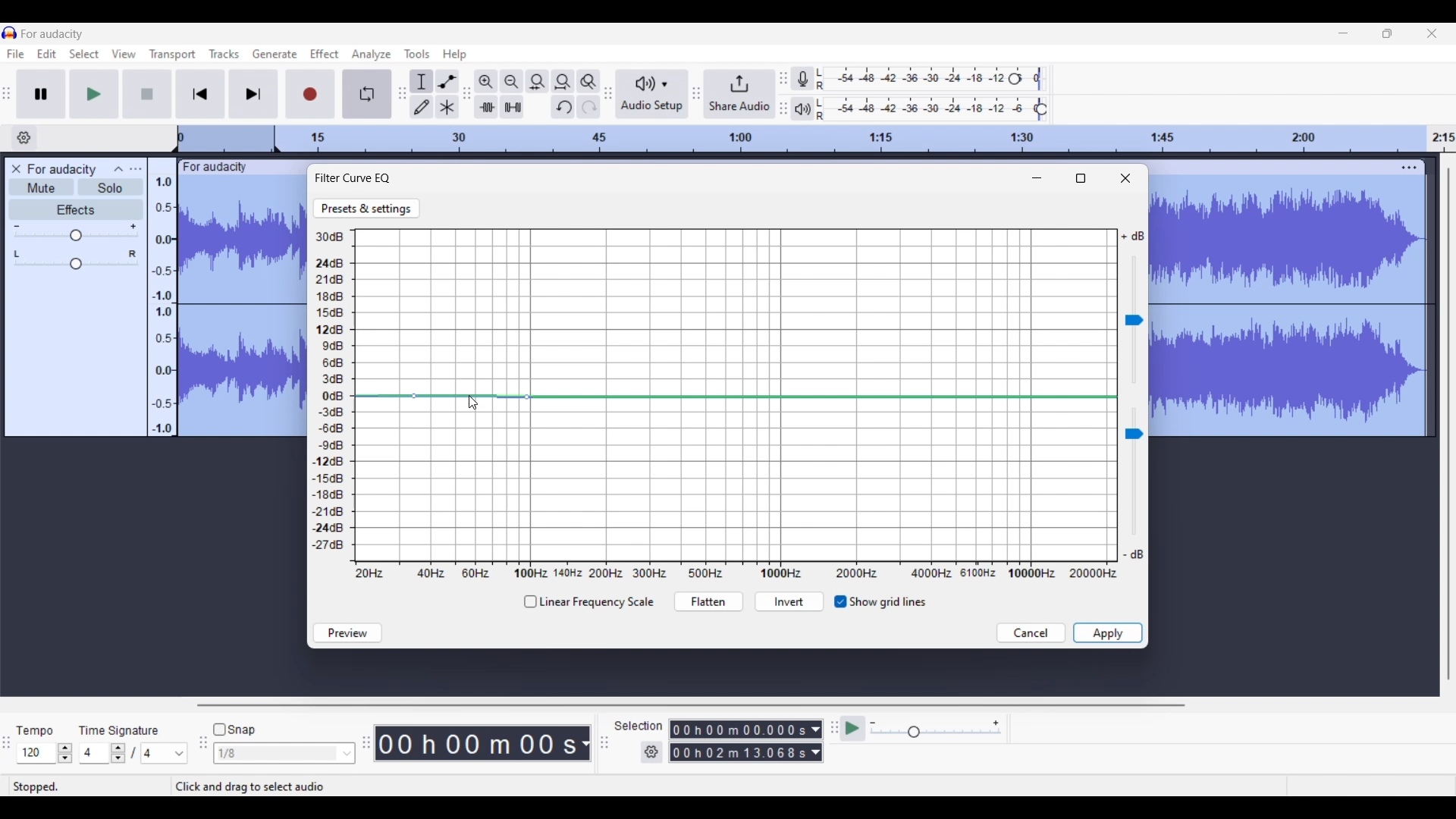 This screenshot has height=819, width=1456. I want to click on Mute, so click(41, 187).